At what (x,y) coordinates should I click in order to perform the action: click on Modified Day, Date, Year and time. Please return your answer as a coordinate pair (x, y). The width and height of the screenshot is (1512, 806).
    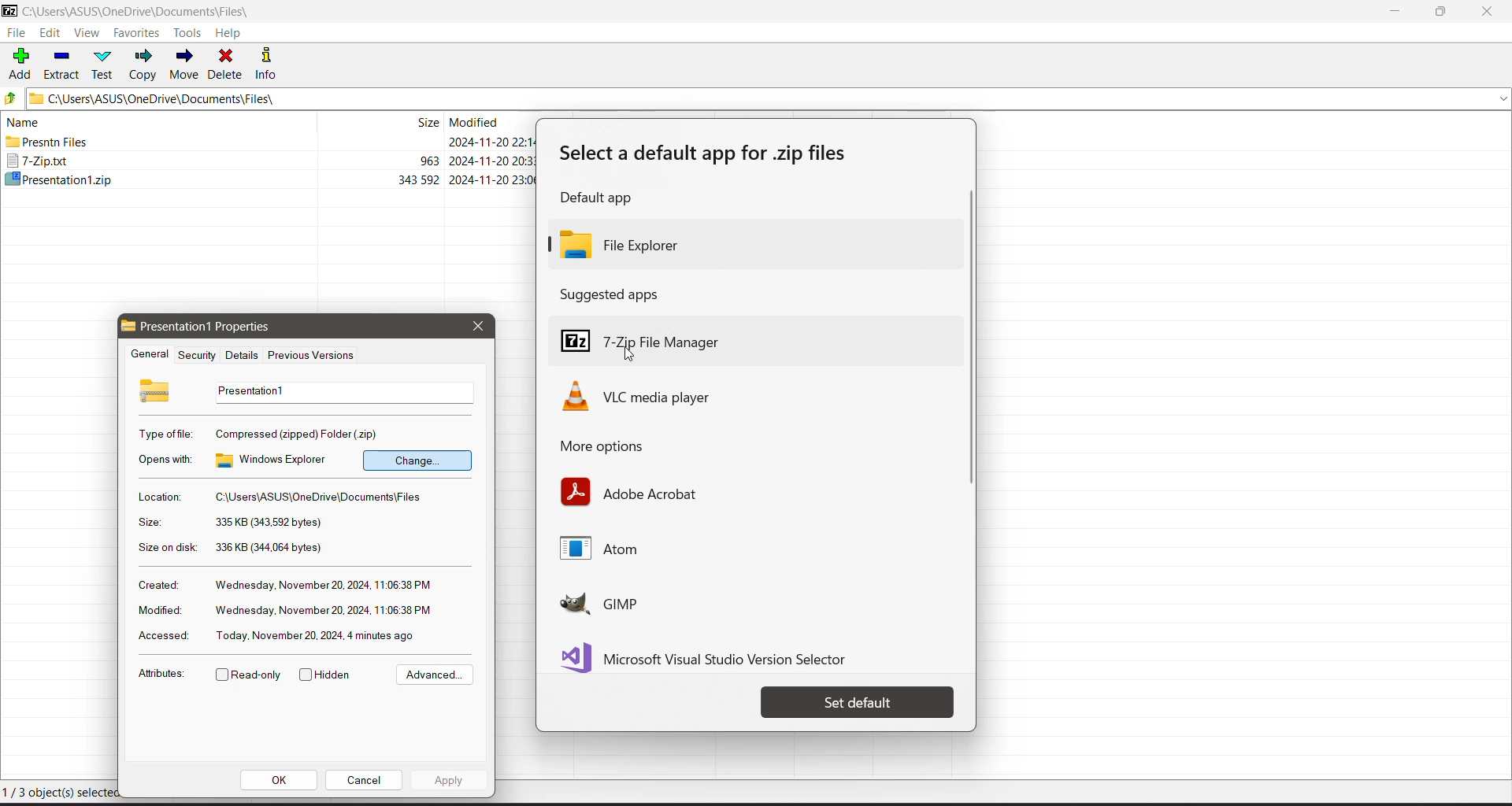
    Looking at the image, I should click on (324, 611).